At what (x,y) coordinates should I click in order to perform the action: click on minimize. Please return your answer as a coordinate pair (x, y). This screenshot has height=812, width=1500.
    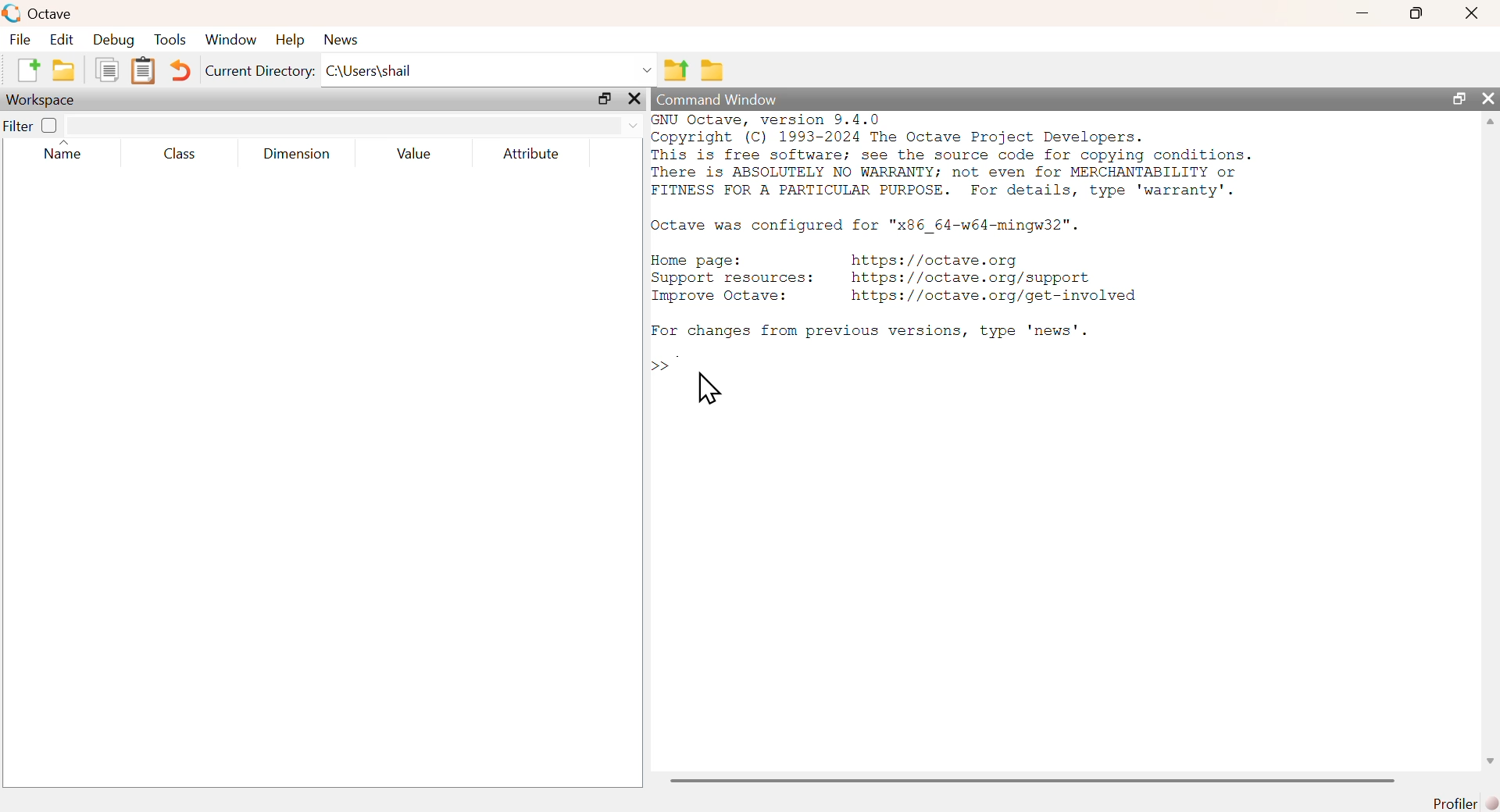
    Looking at the image, I should click on (1361, 14).